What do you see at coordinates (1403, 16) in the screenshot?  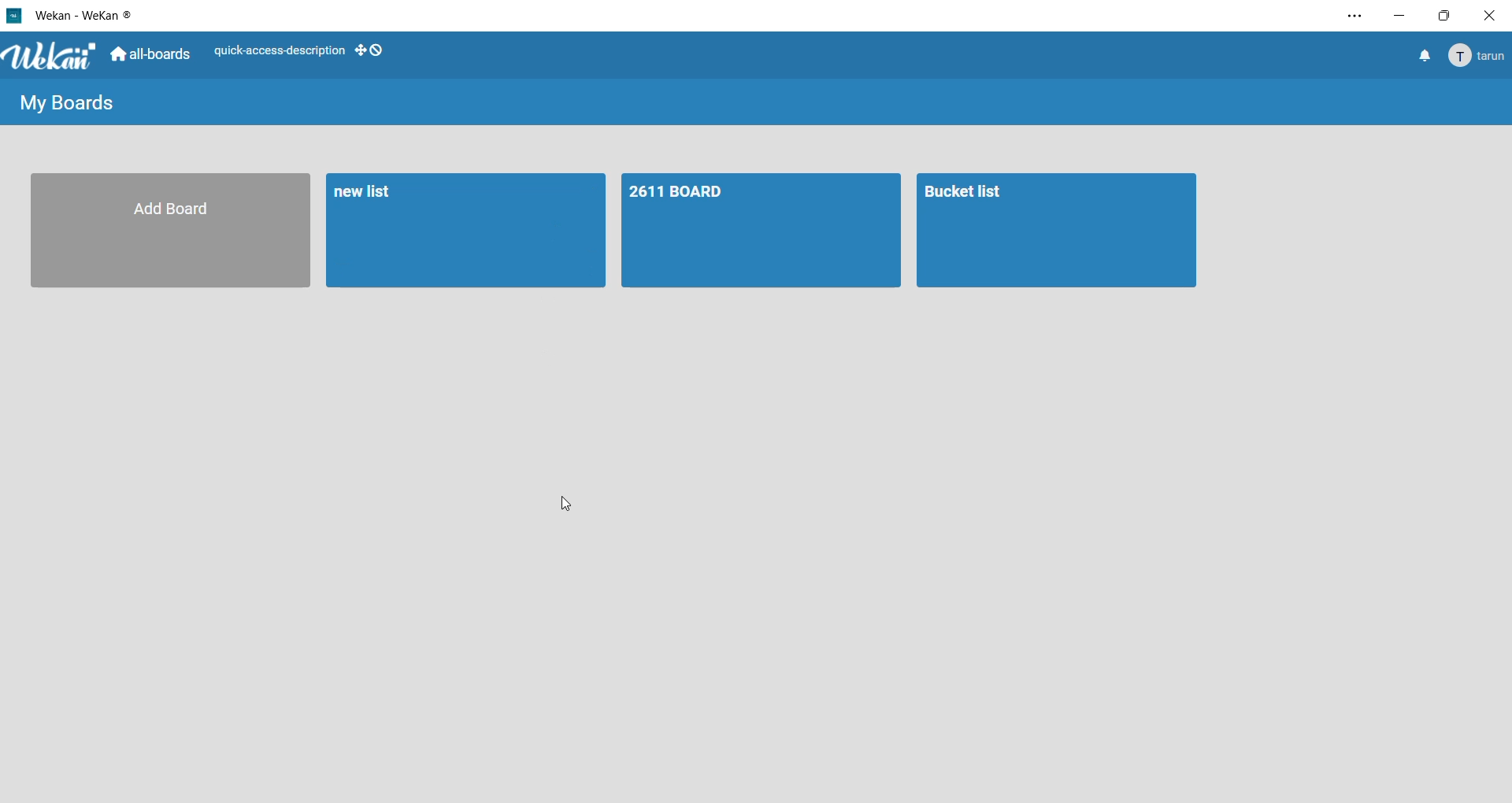 I see `minimize` at bounding box center [1403, 16].